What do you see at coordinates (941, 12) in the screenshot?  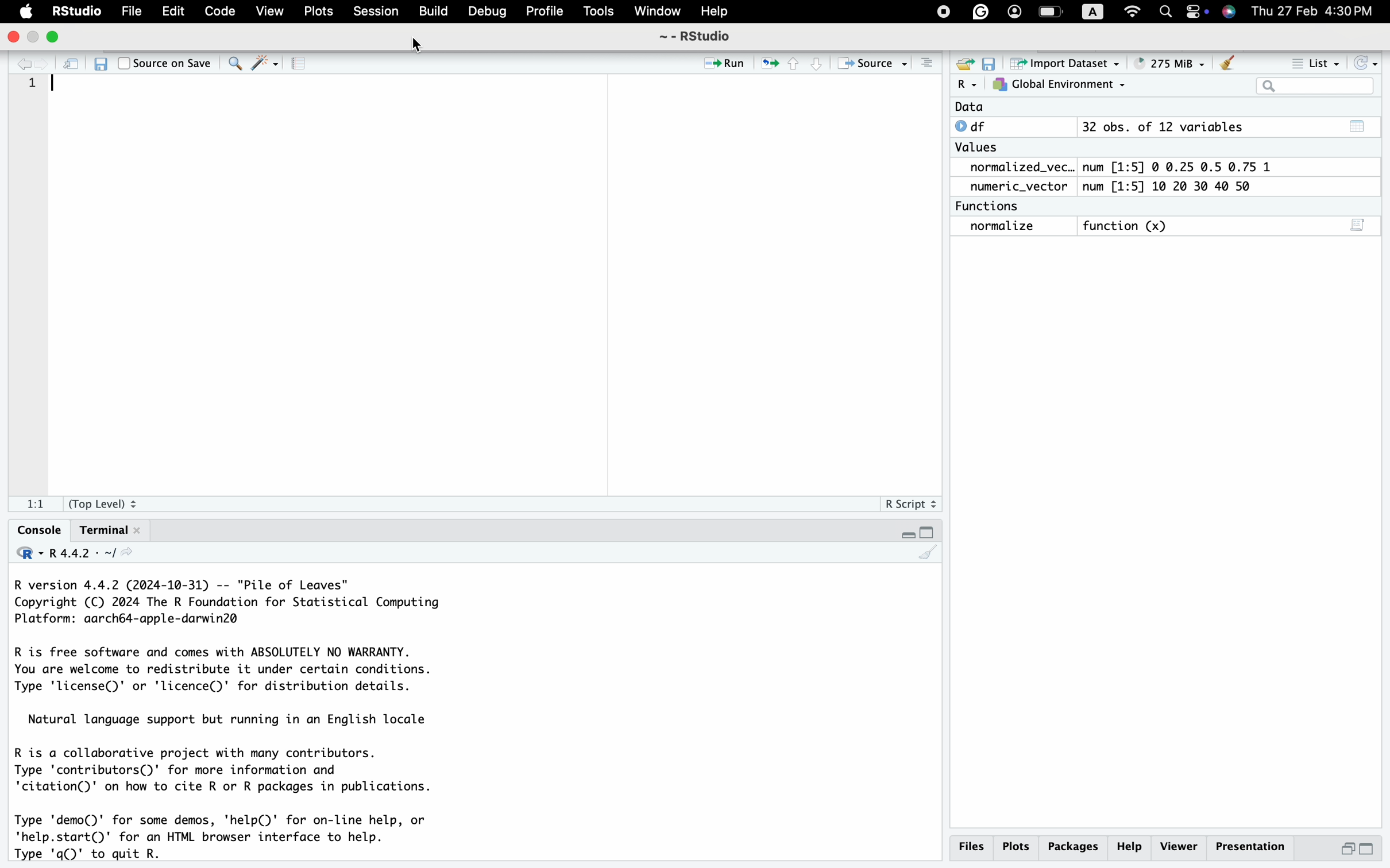 I see `stop` at bounding box center [941, 12].